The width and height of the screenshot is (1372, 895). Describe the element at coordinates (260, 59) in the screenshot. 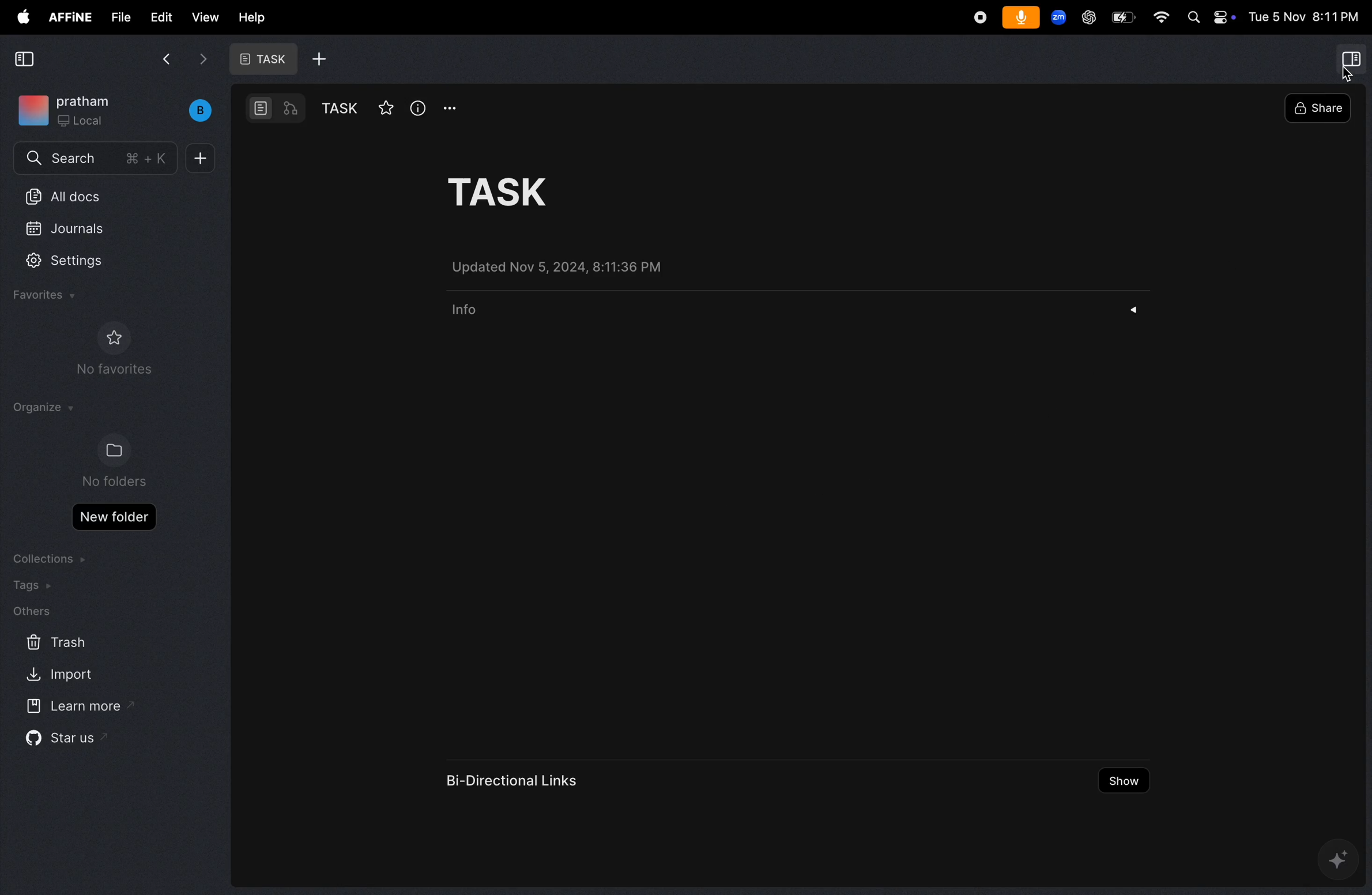

I see `task` at that location.